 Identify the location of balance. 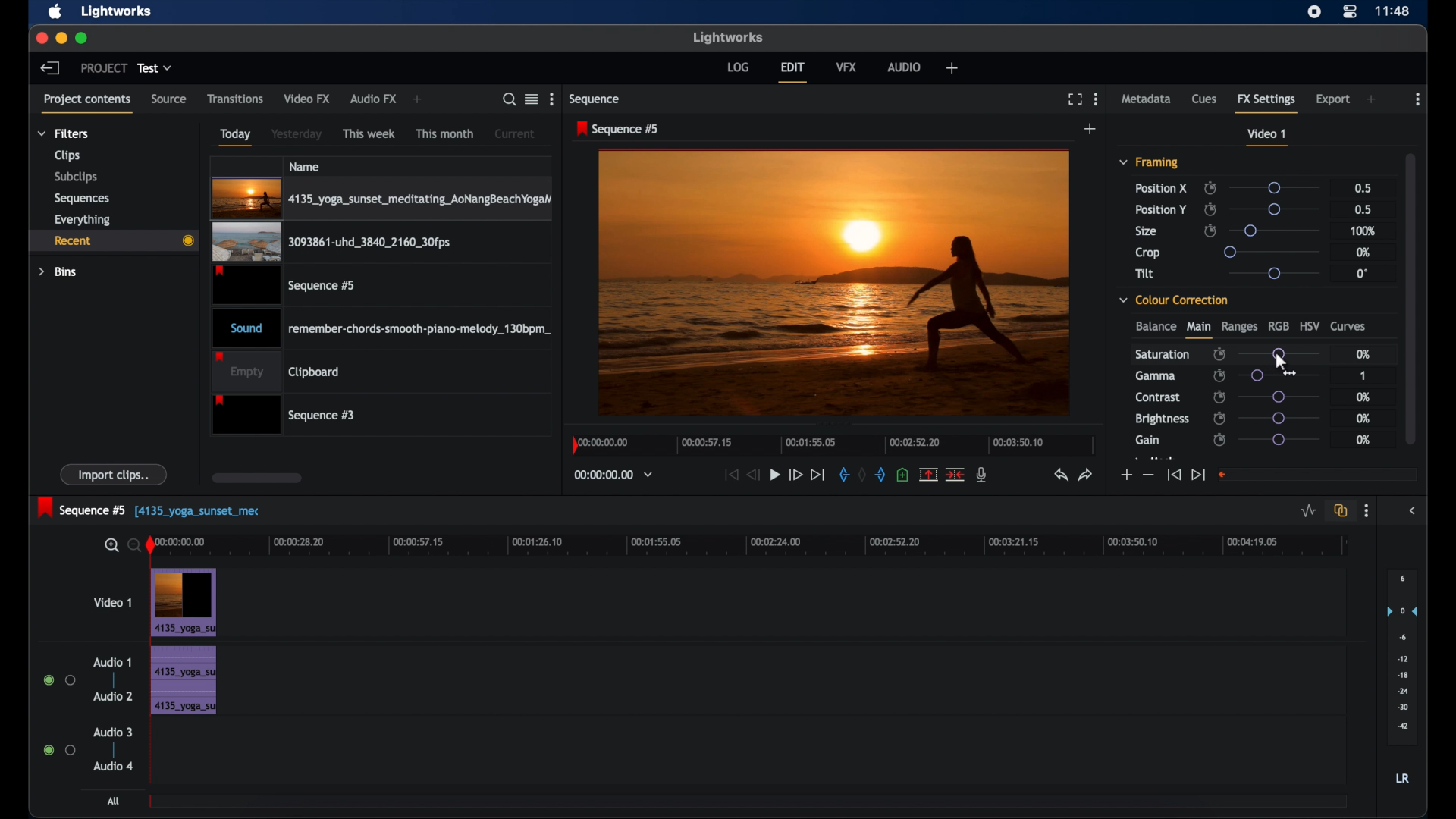
(1155, 327).